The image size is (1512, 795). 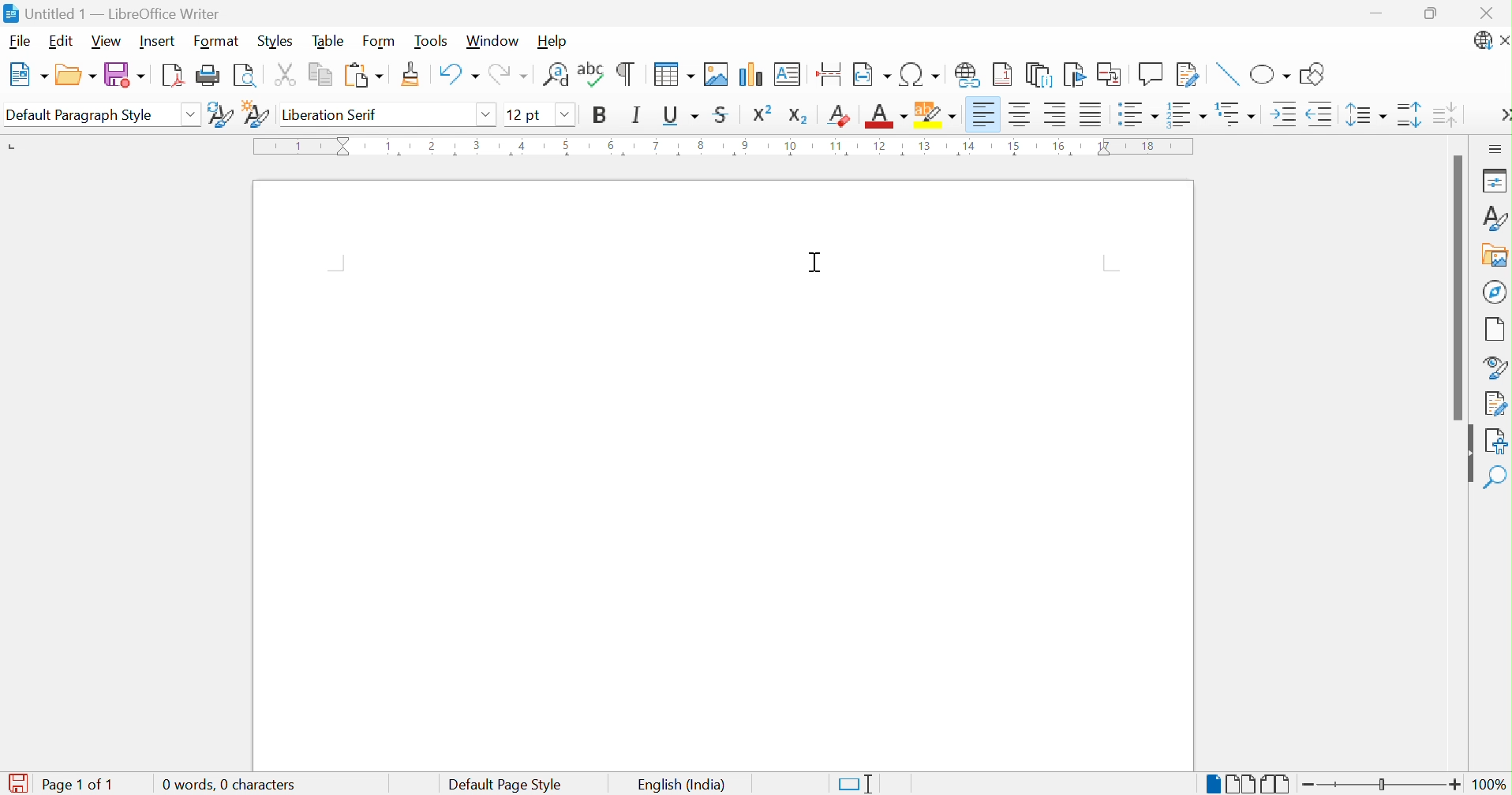 I want to click on Styles, so click(x=1496, y=218).